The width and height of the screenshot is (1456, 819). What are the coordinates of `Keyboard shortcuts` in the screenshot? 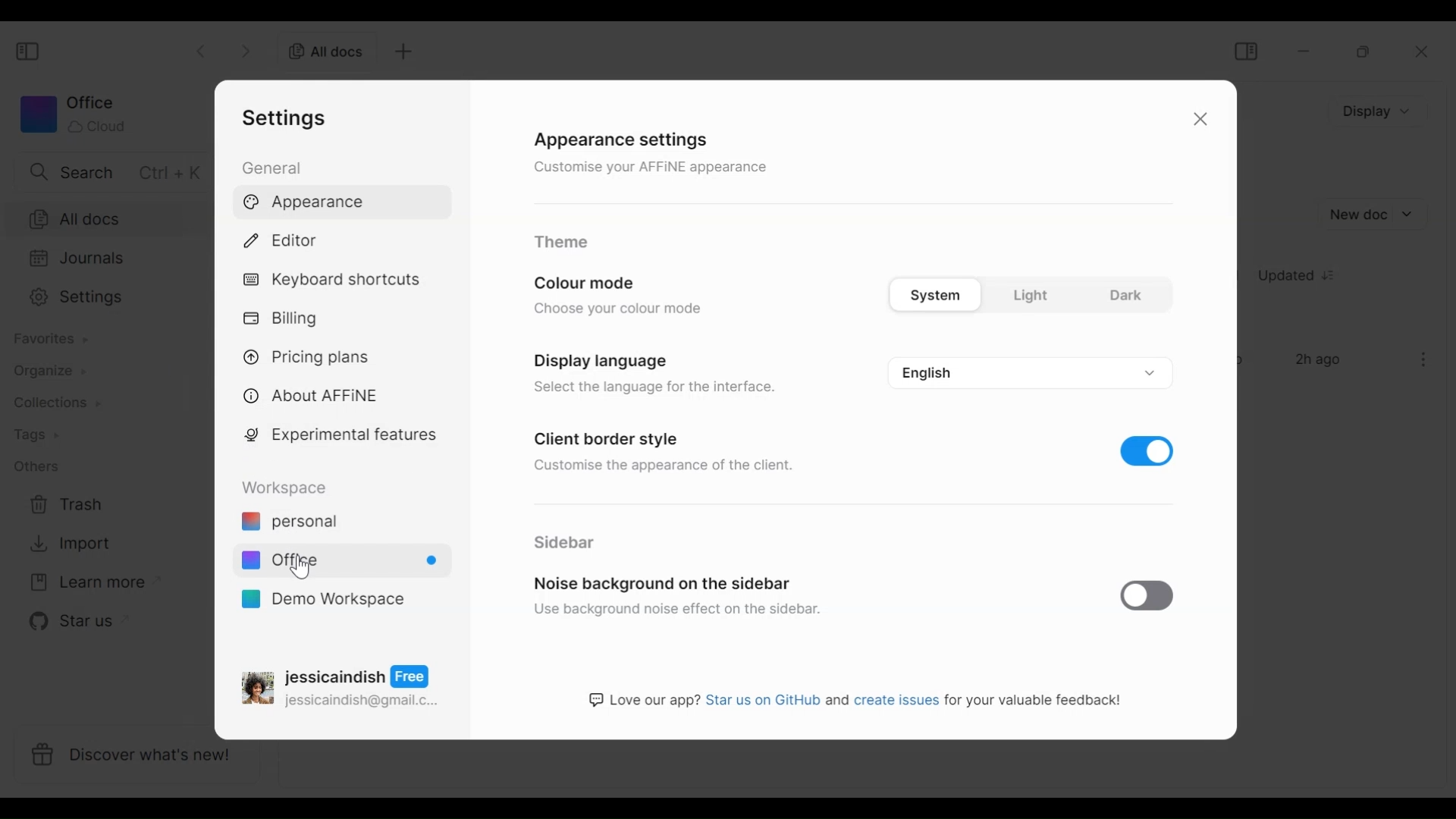 It's located at (334, 281).